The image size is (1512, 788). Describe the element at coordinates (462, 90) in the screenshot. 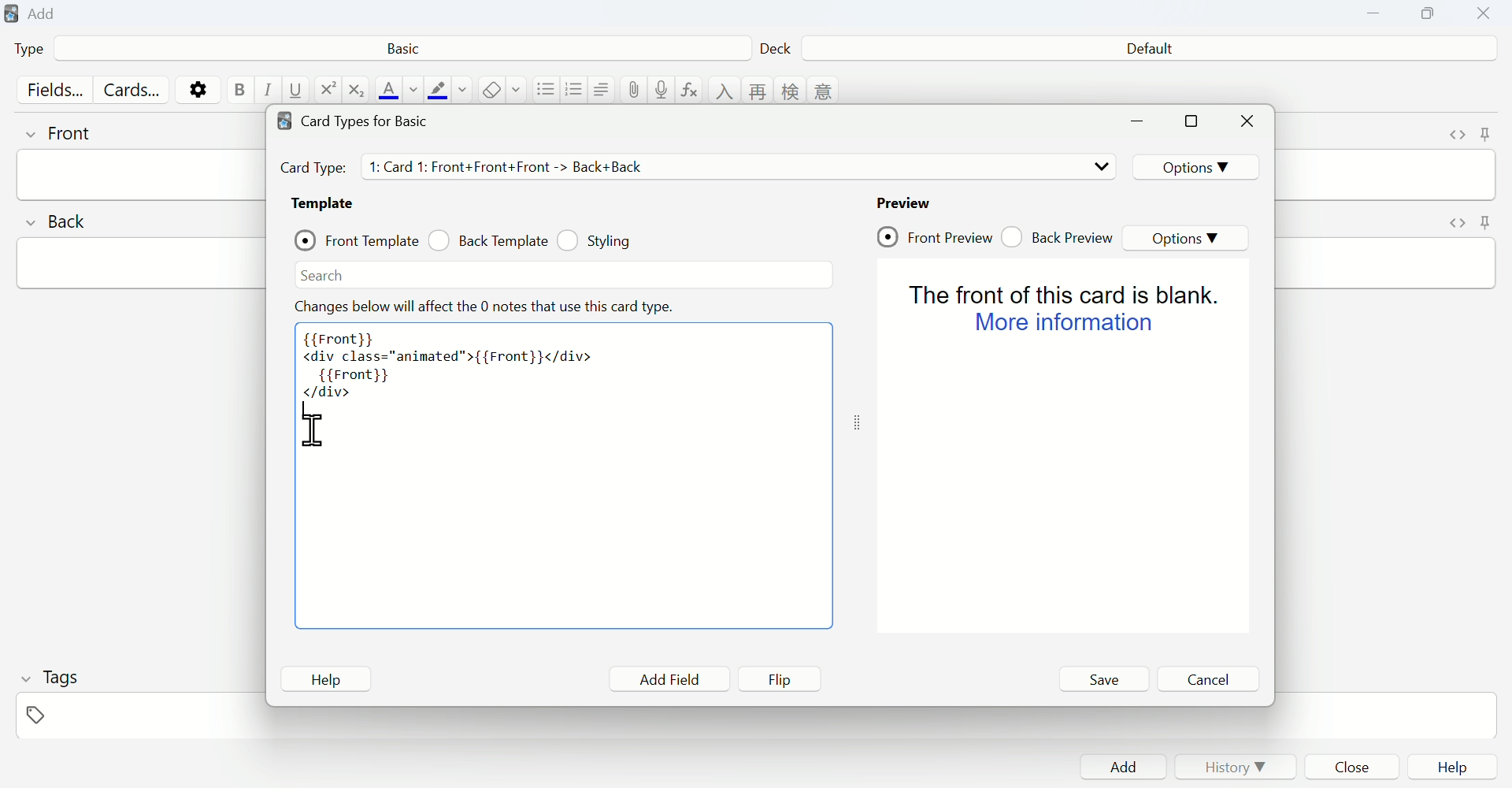

I see `change color` at that location.